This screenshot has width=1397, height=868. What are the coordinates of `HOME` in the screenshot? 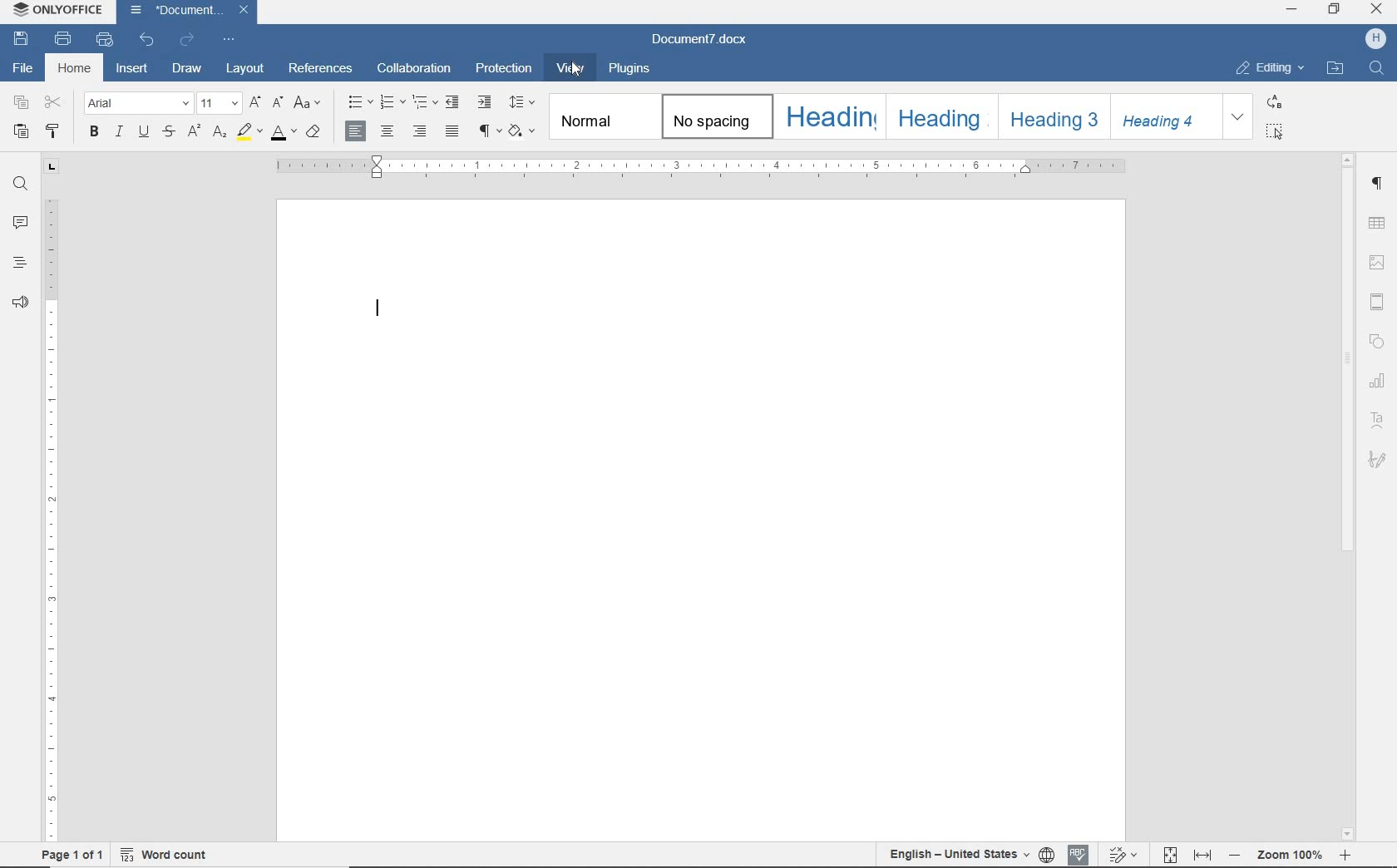 It's located at (77, 67).